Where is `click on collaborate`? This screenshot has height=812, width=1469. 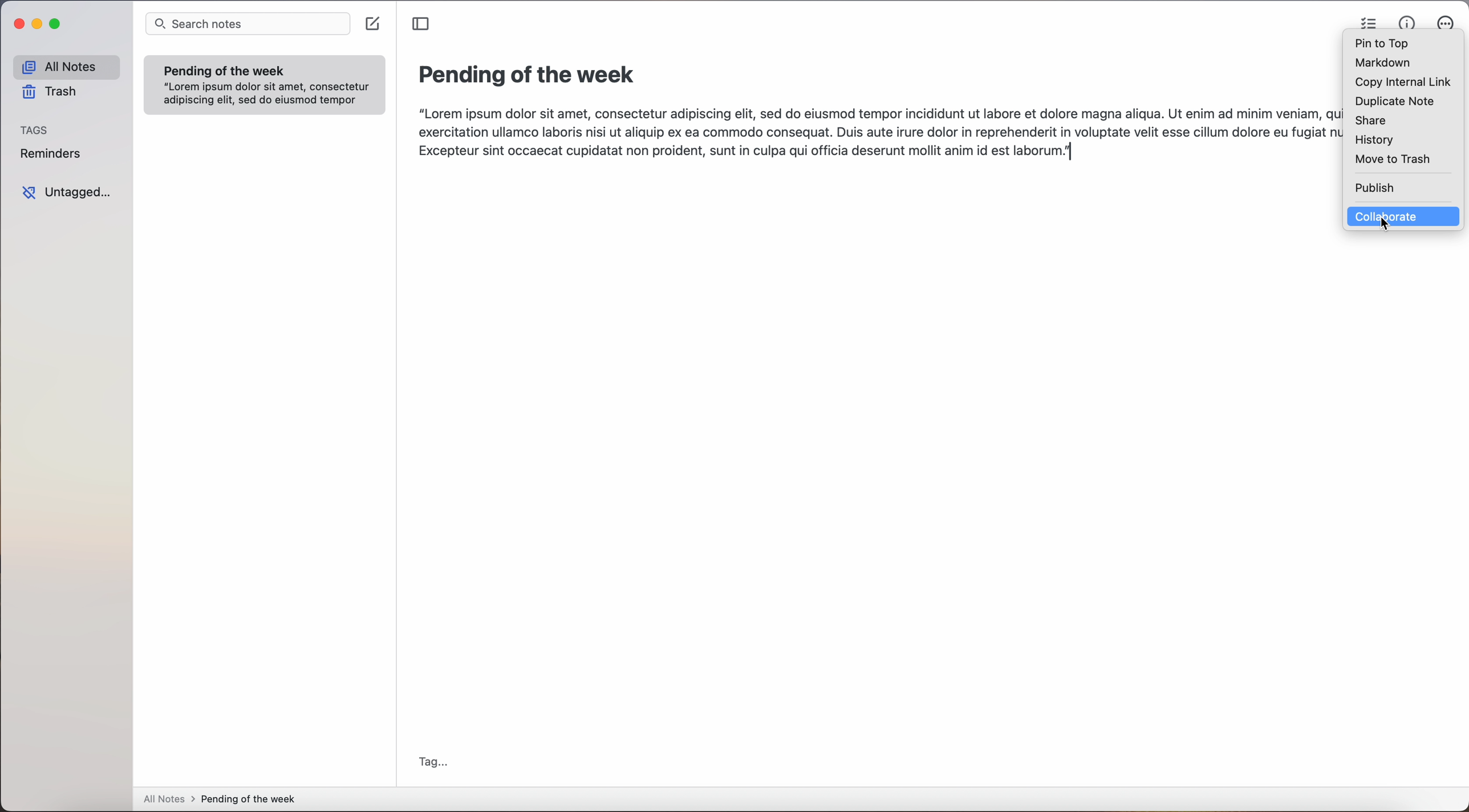 click on collaborate is located at coordinates (1407, 216).